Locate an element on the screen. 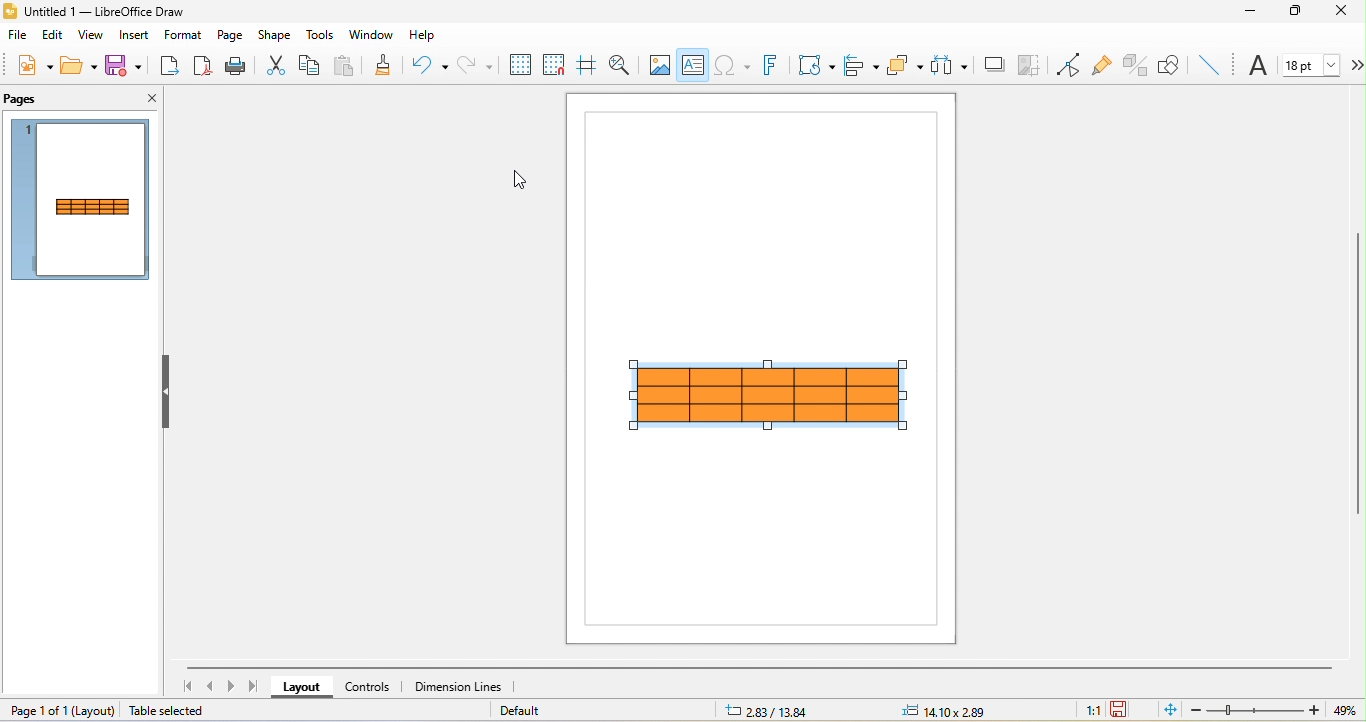  close is located at coordinates (1347, 12).